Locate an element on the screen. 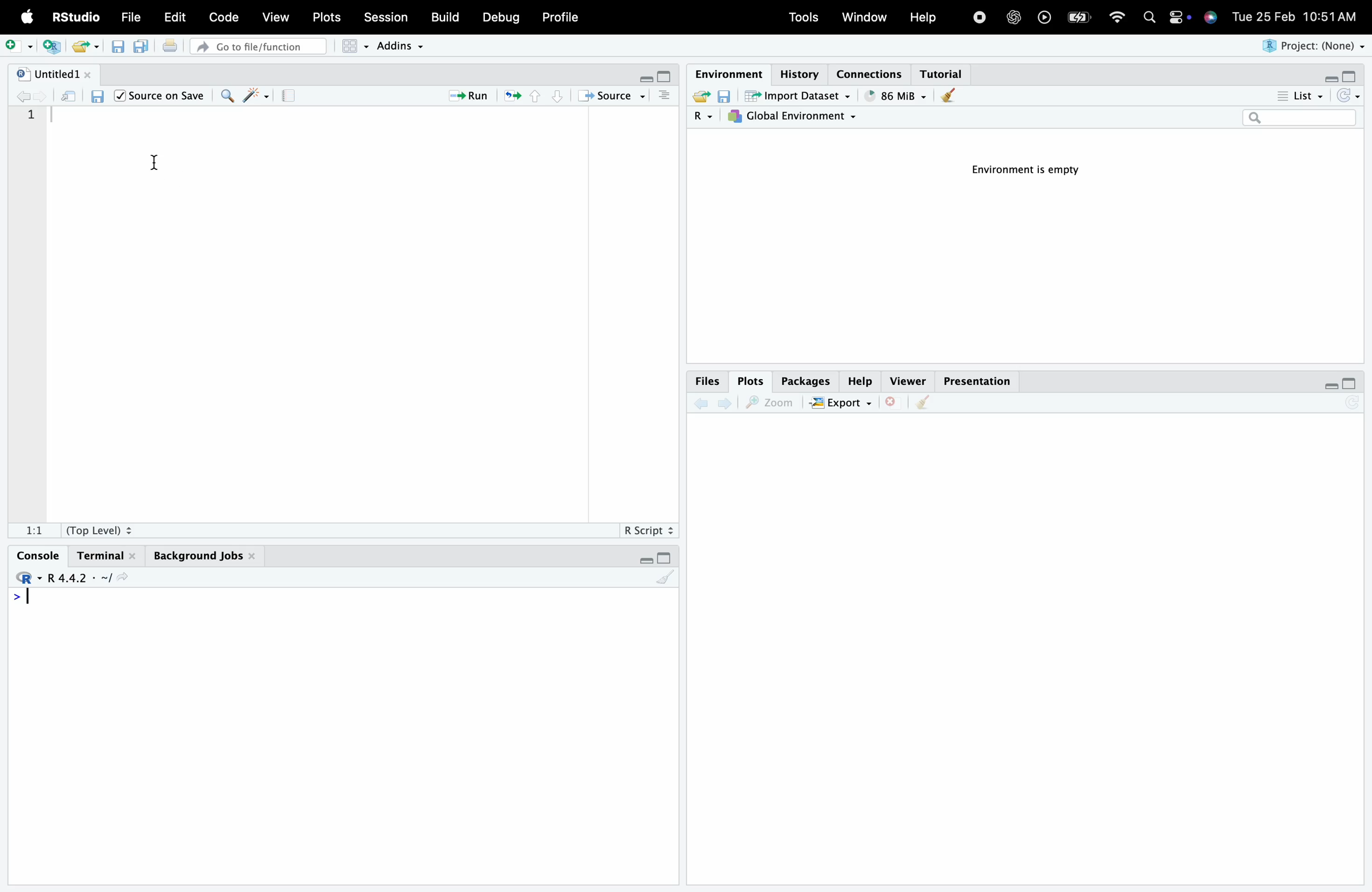 The image size is (1372, 892). Project: (None) is located at coordinates (1310, 46).